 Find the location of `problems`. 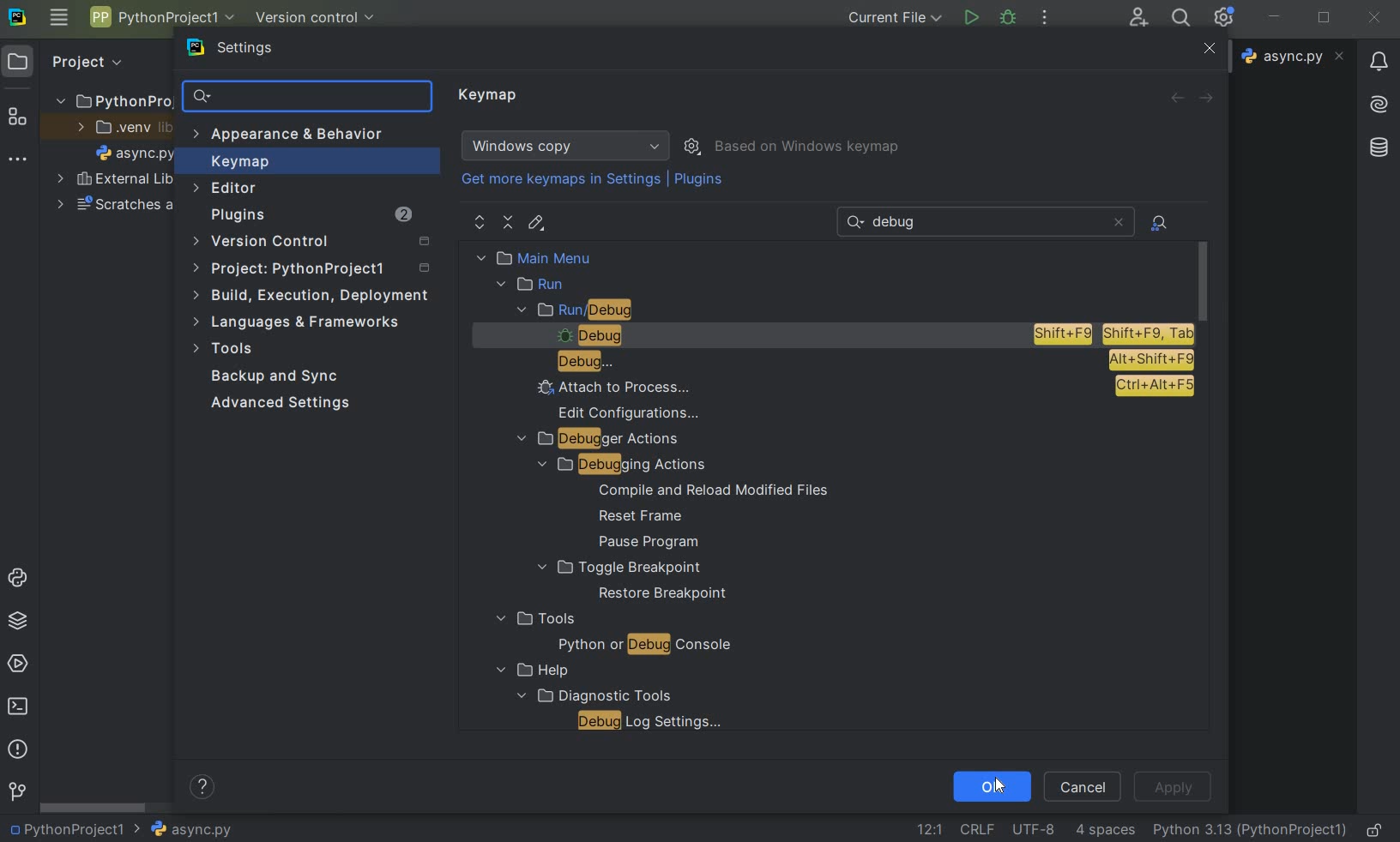

problems is located at coordinates (16, 748).